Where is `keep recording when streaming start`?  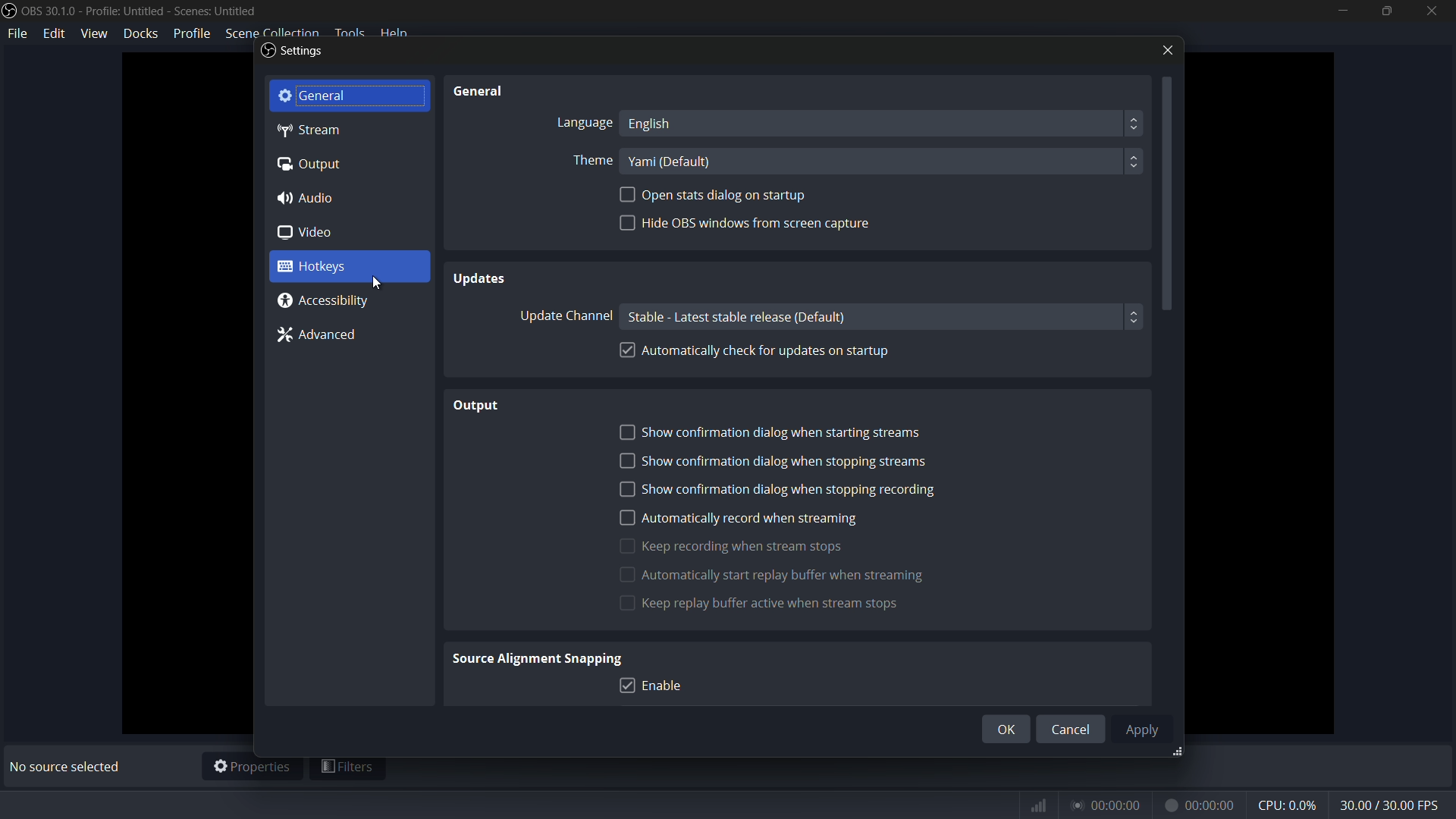 keep recording when streaming start is located at coordinates (730, 550).